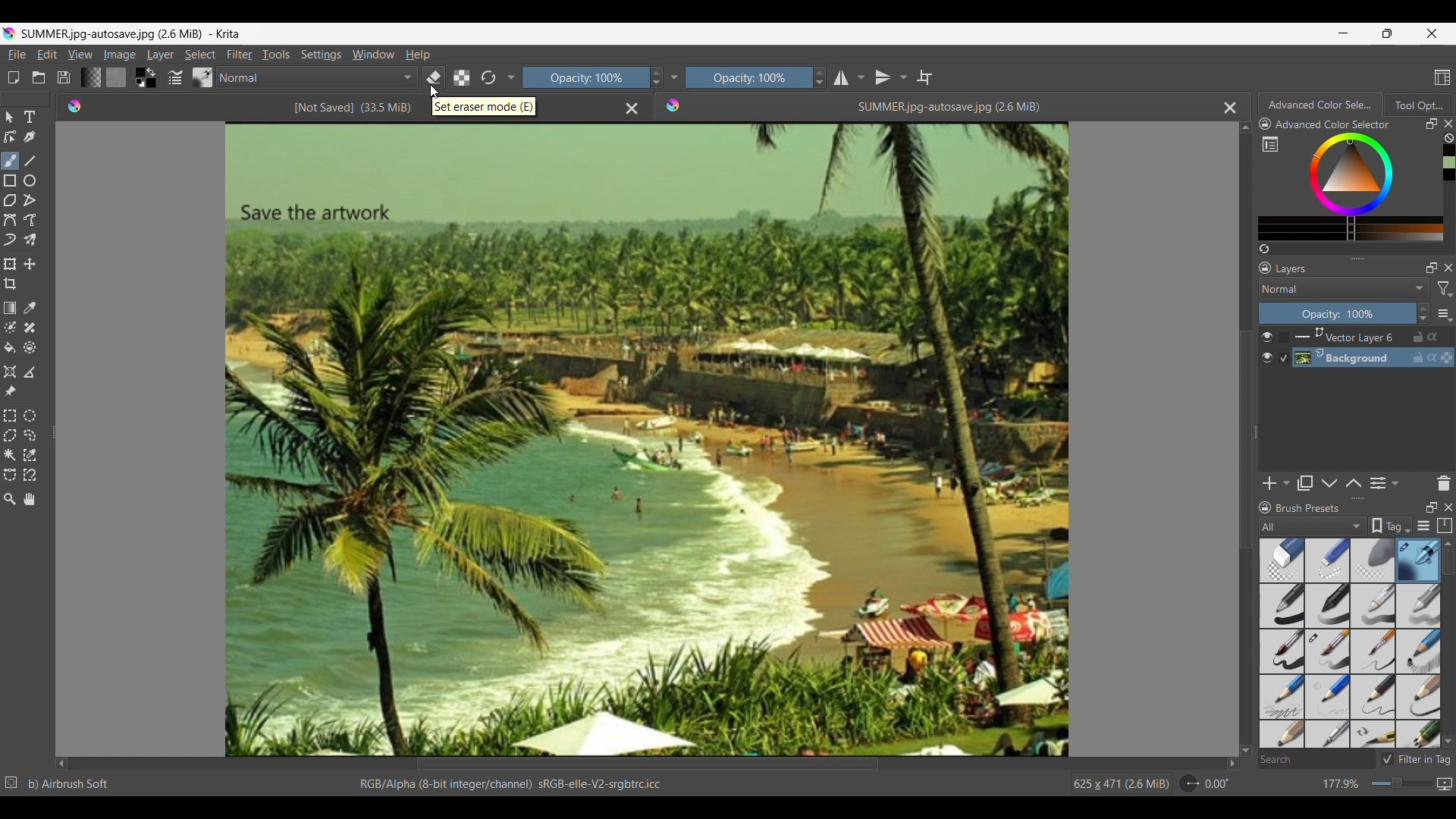 This screenshot has width=1456, height=819. Describe the element at coordinates (200, 55) in the screenshot. I see `Select` at that location.